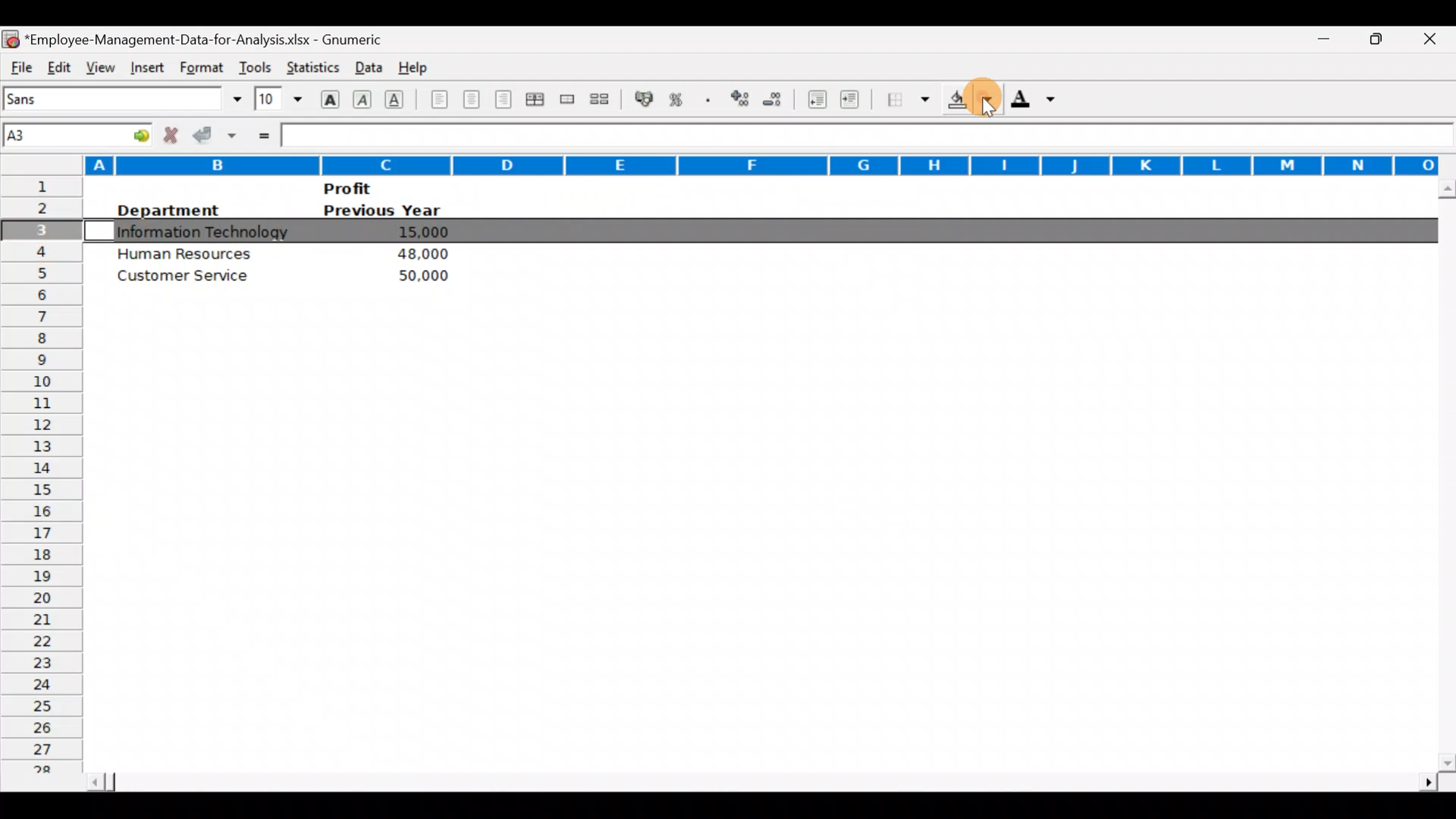 Image resolution: width=1456 pixels, height=819 pixels. What do you see at coordinates (969, 104) in the screenshot?
I see `Background` at bounding box center [969, 104].